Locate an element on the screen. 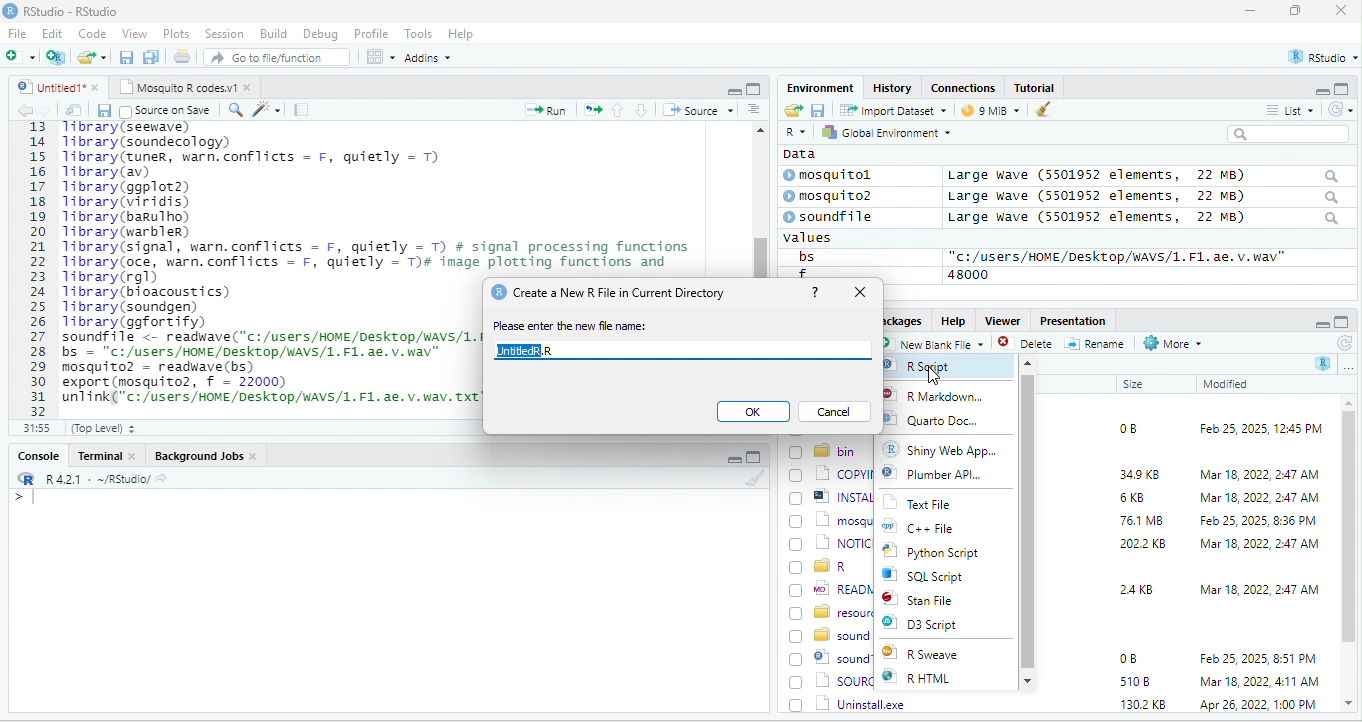 This screenshot has height=722, width=1362. 8 sound analysis is located at coordinates (831, 635).